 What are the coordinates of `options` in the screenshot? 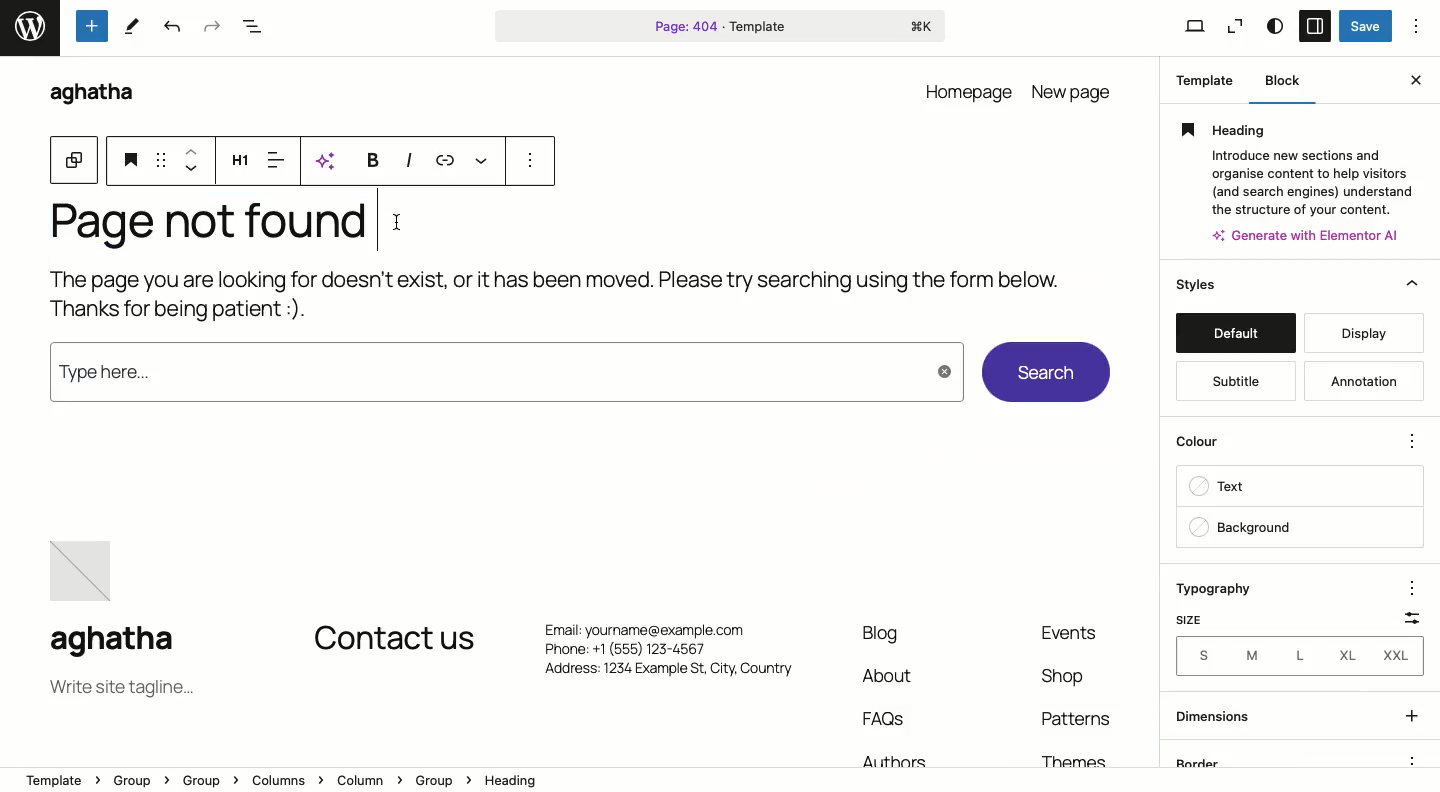 It's located at (1409, 588).